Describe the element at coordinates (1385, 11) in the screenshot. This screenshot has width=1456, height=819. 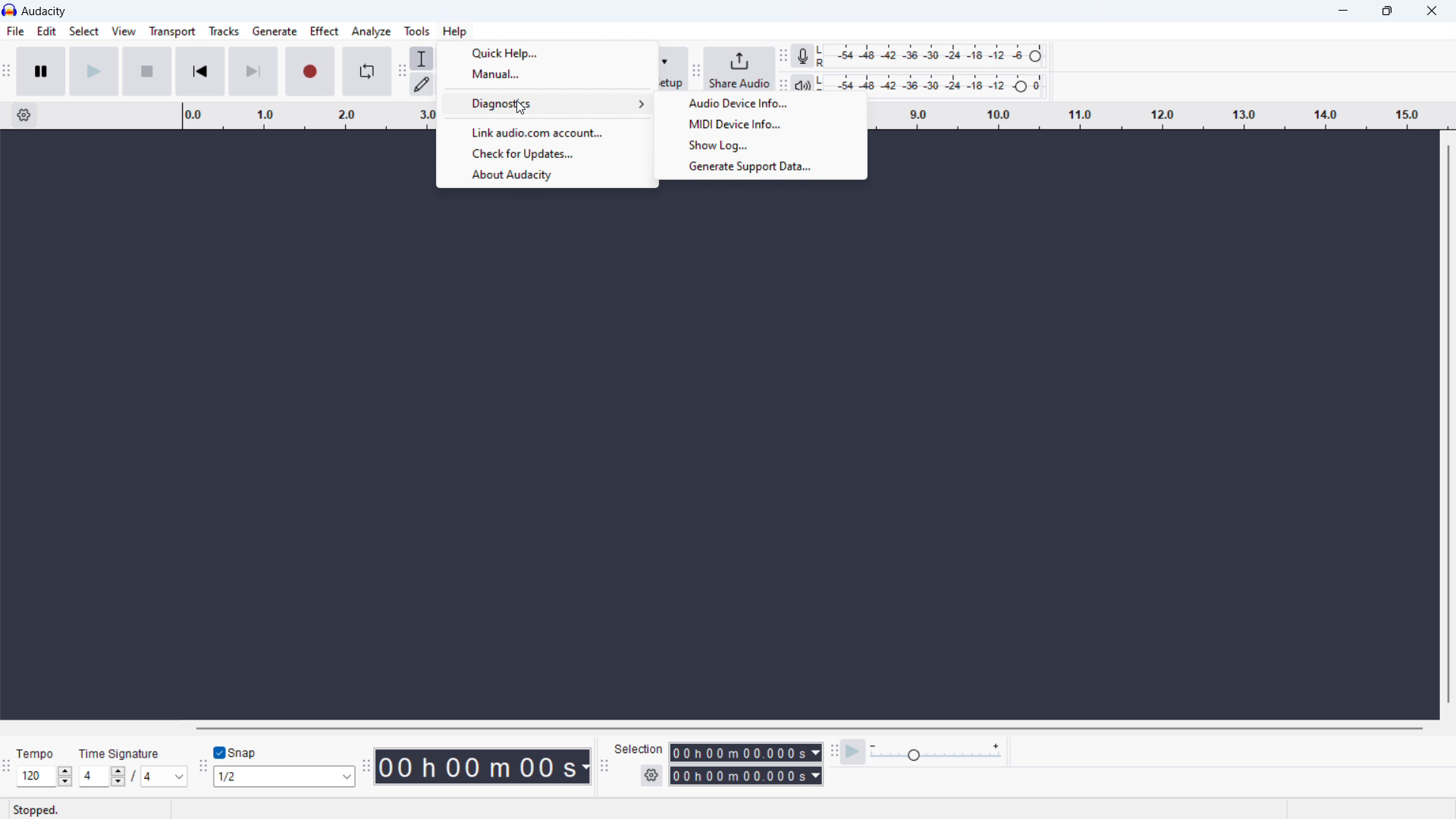
I see `maximize` at that location.